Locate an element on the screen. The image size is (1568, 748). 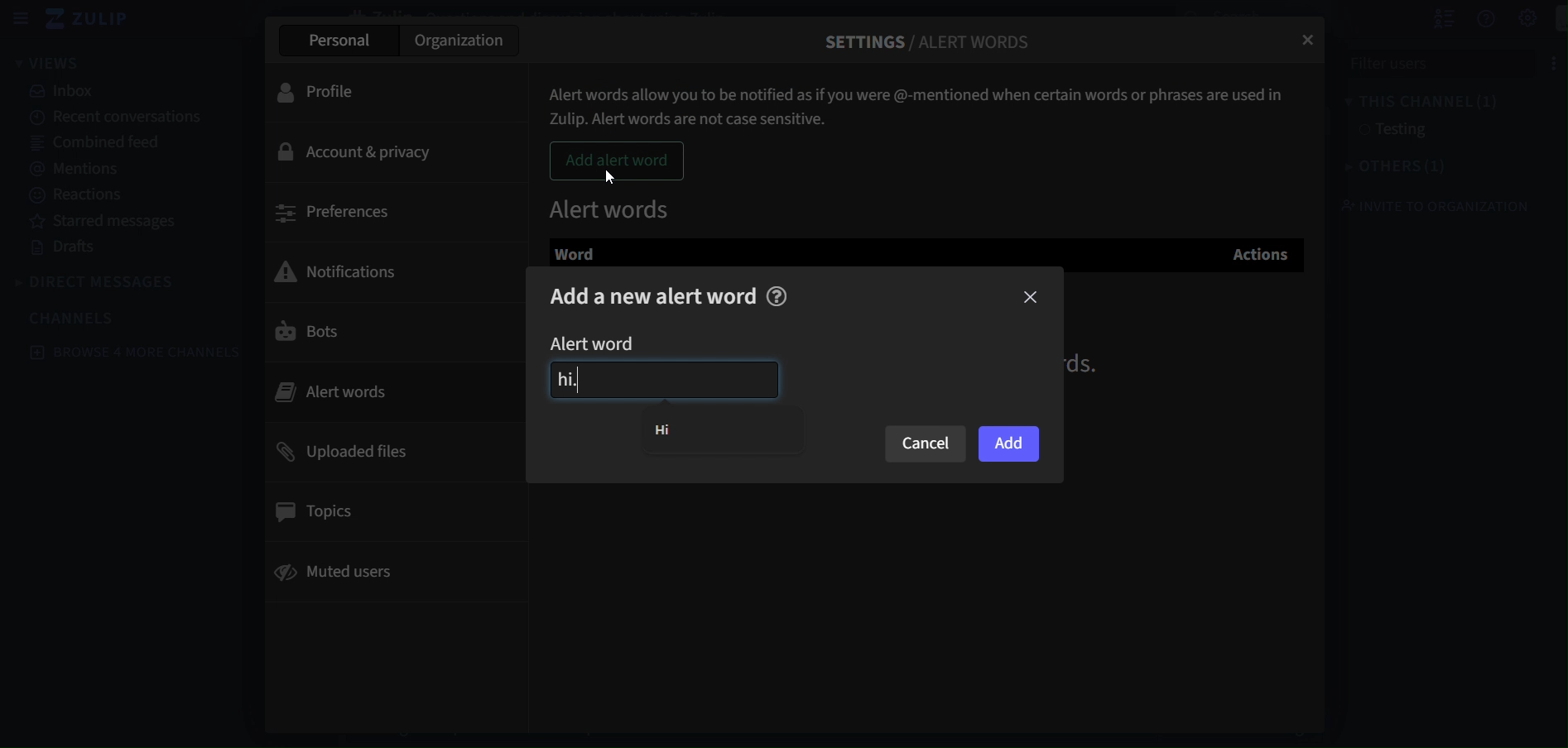
starredmessages is located at coordinates (108, 222).